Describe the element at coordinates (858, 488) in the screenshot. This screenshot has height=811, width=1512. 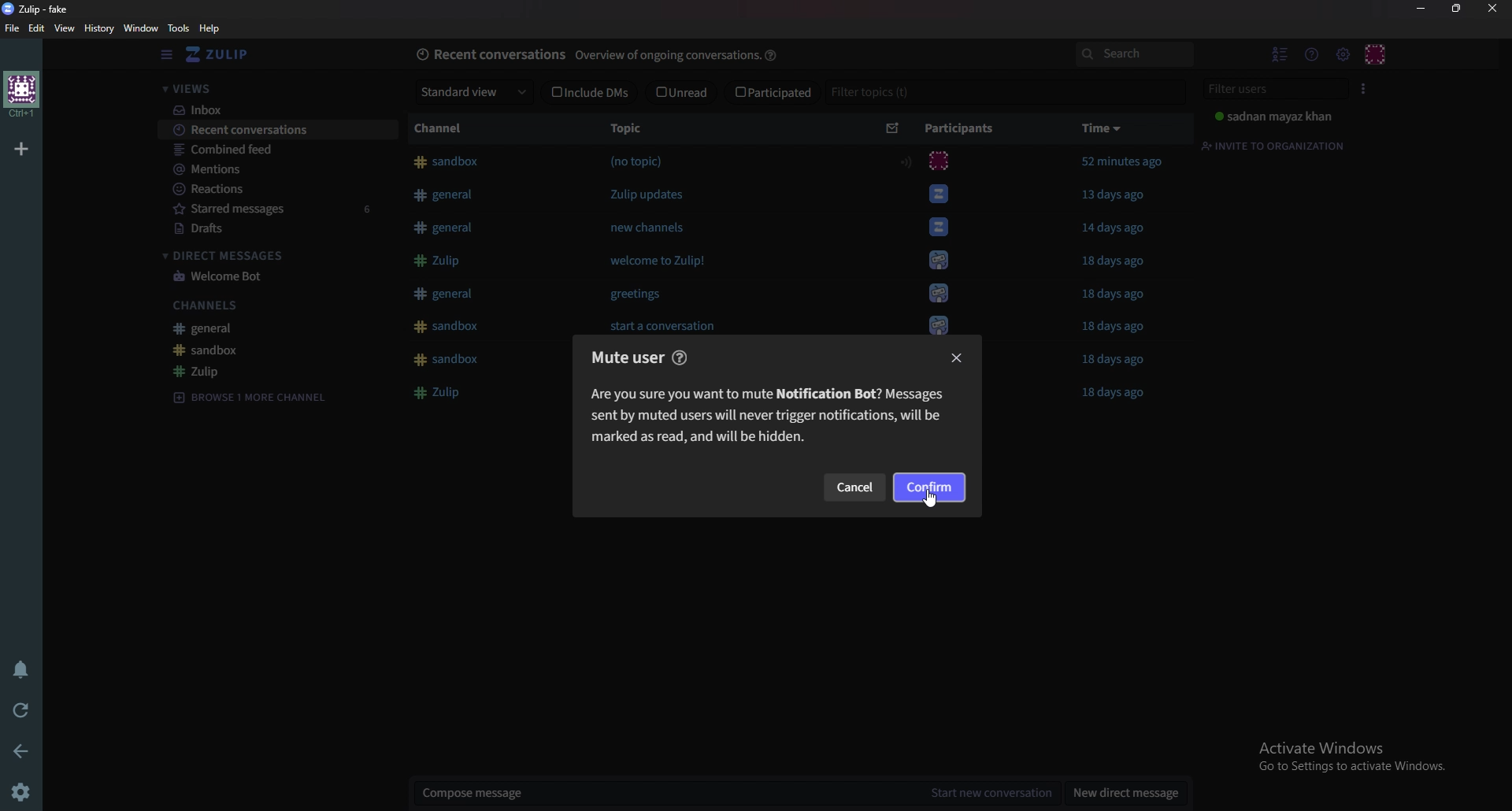
I see `cancel` at that location.